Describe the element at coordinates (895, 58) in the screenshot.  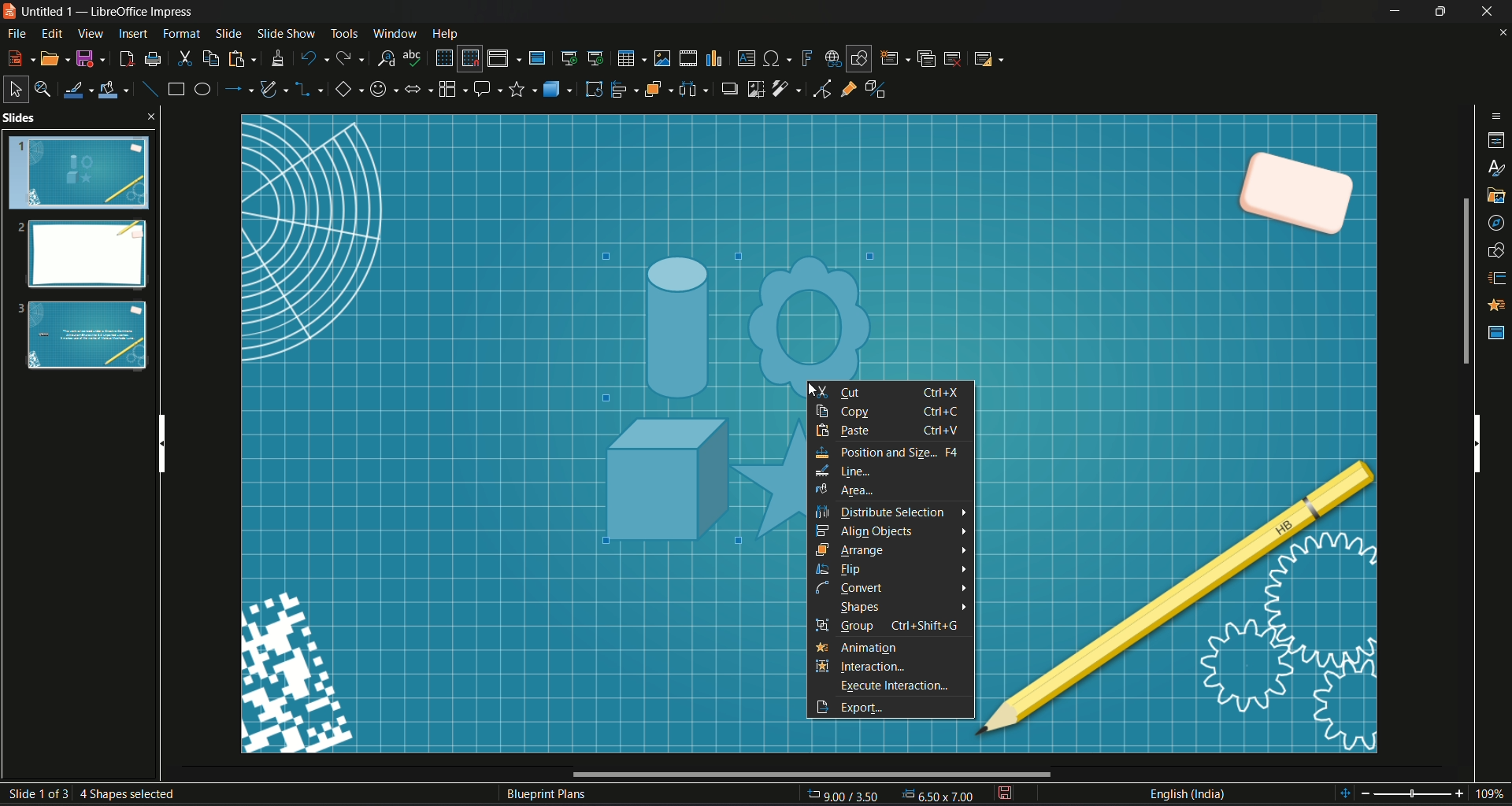
I see `new slide` at that location.